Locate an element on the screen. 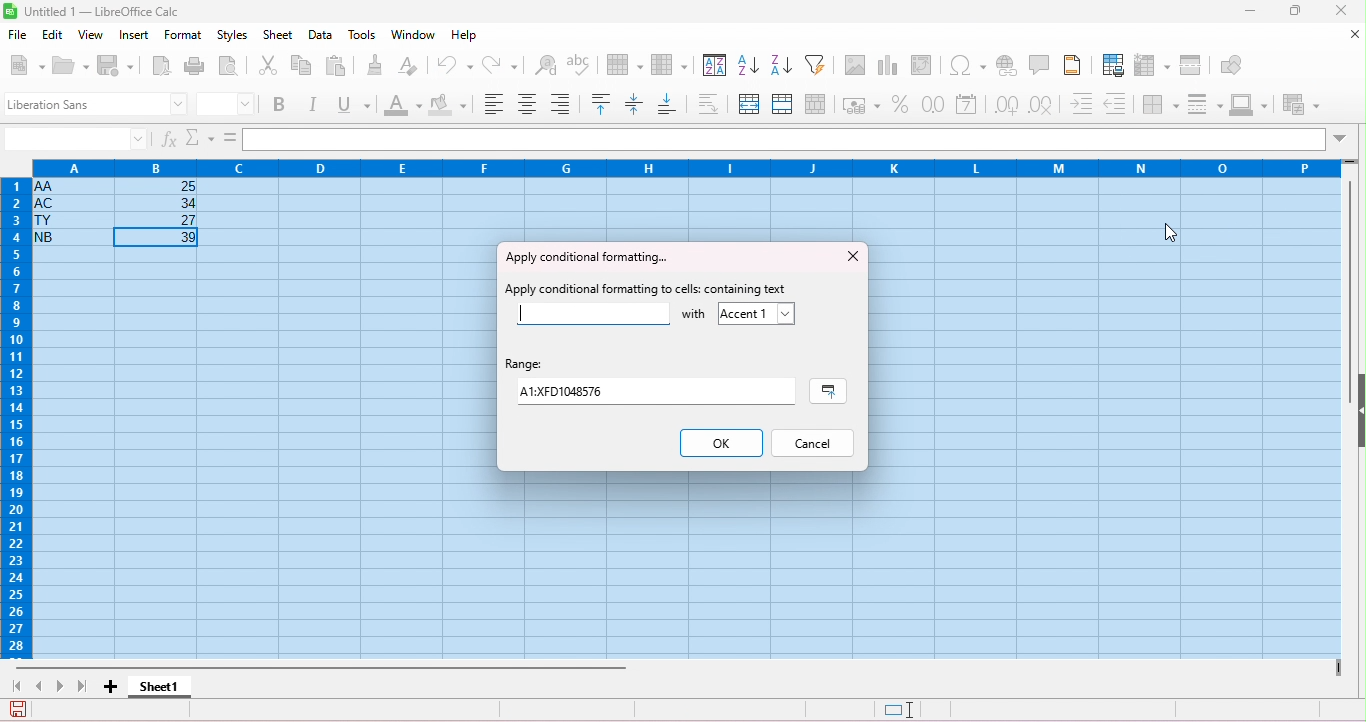  sort is located at coordinates (715, 65).